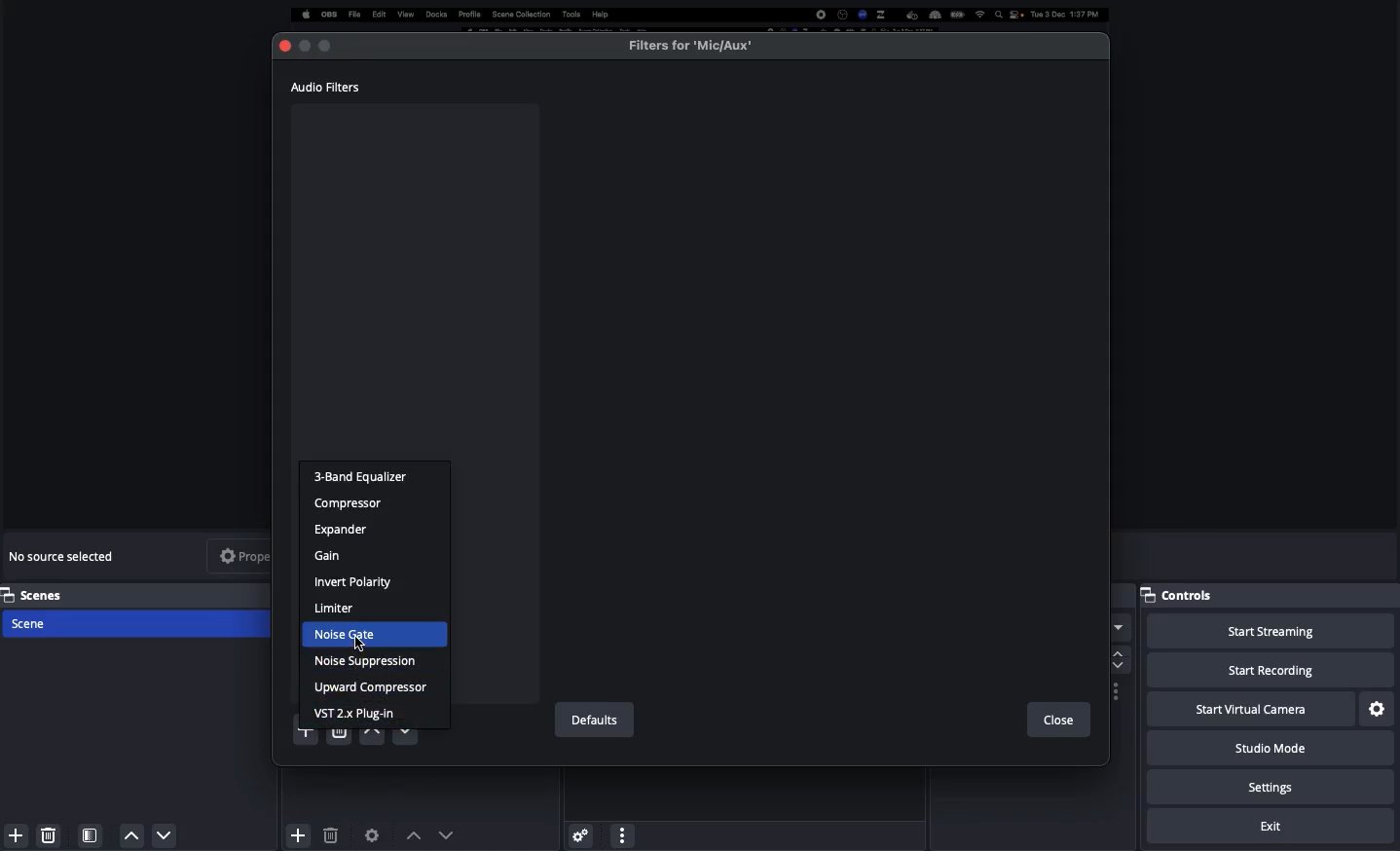 The width and height of the screenshot is (1400, 851). What do you see at coordinates (371, 663) in the screenshot?
I see `Noise suppression` at bounding box center [371, 663].